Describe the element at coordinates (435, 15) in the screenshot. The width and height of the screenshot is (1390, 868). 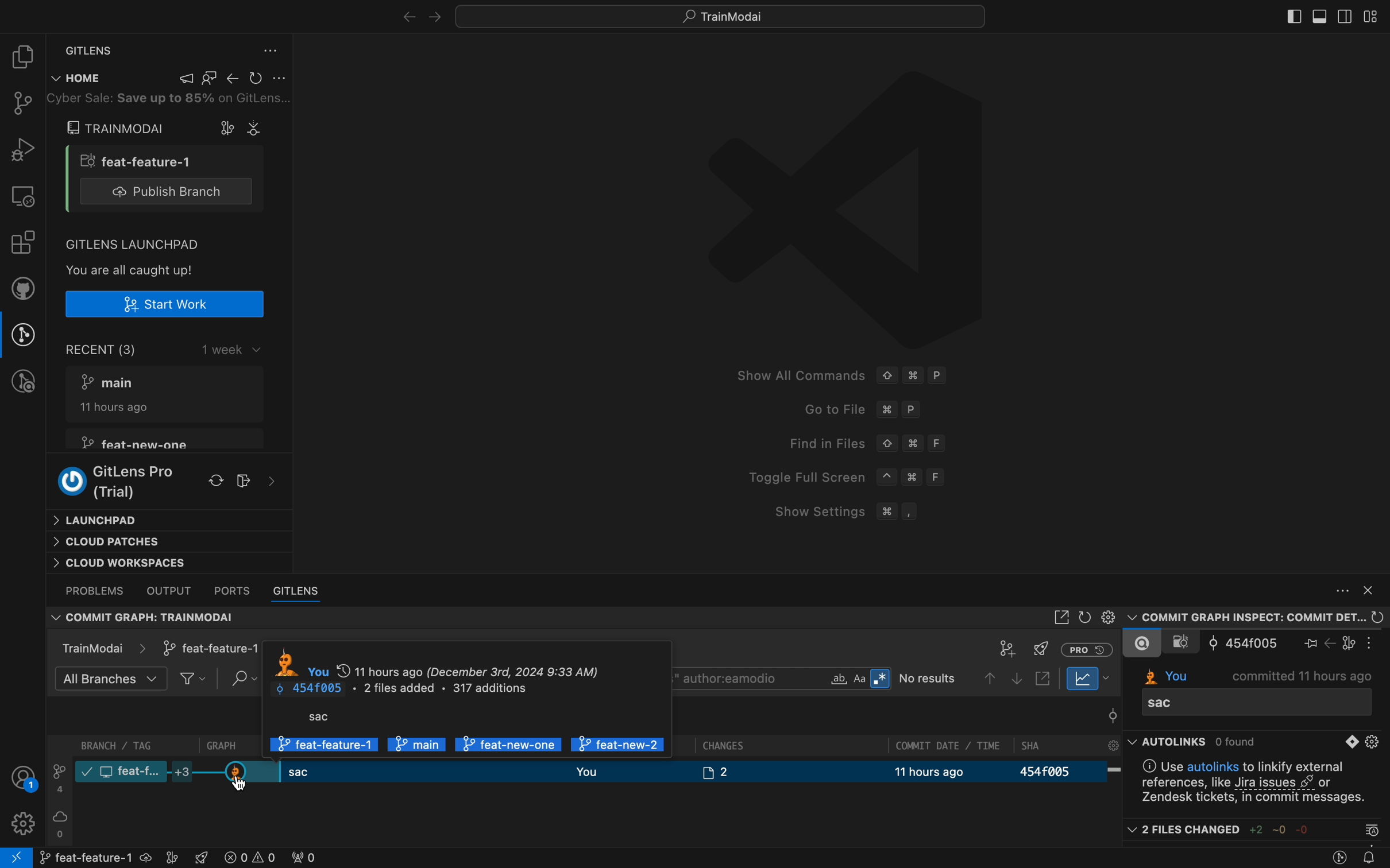
I see `arrows` at that location.